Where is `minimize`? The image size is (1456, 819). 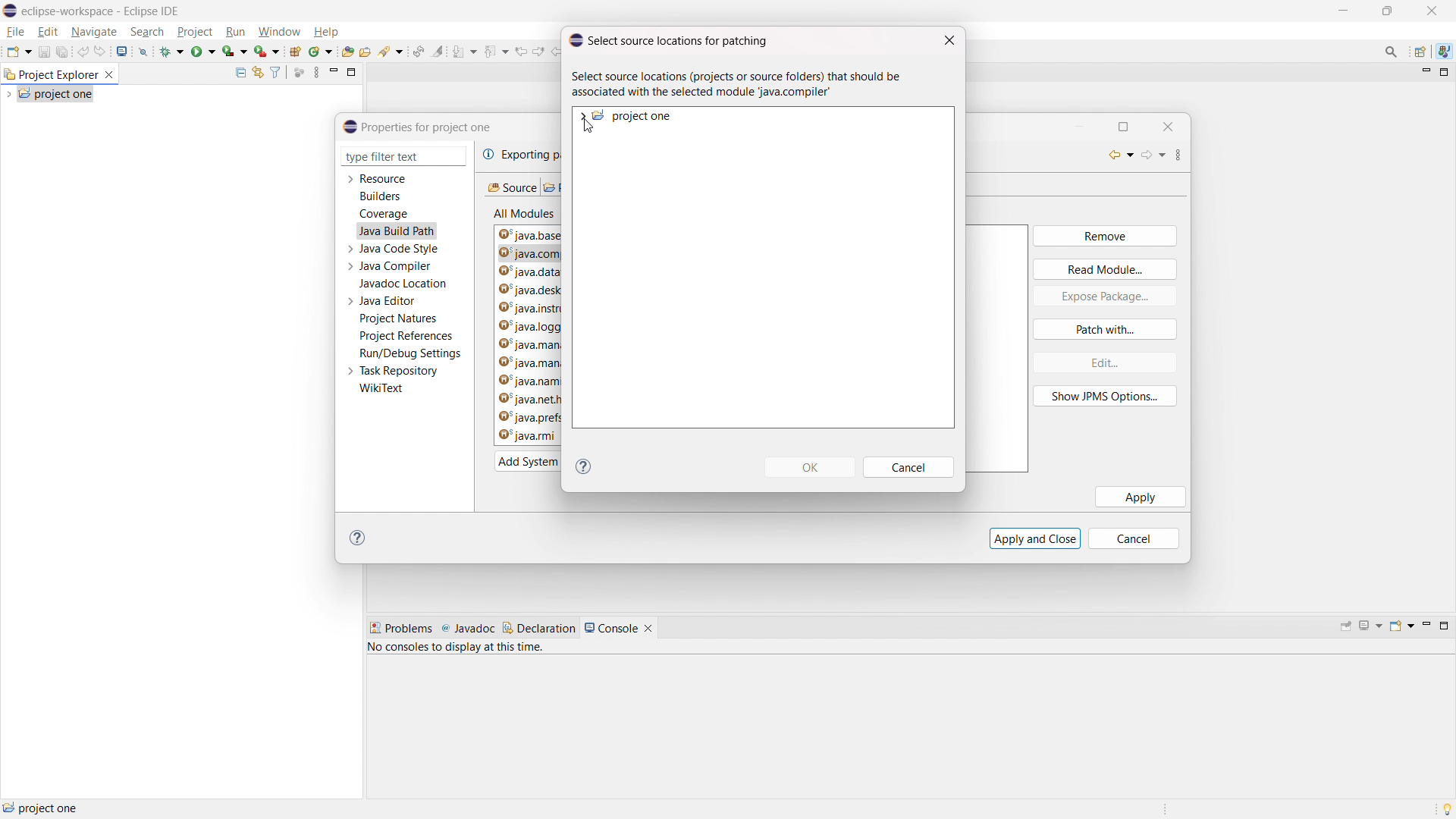
minimize is located at coordinates (1388, 11).